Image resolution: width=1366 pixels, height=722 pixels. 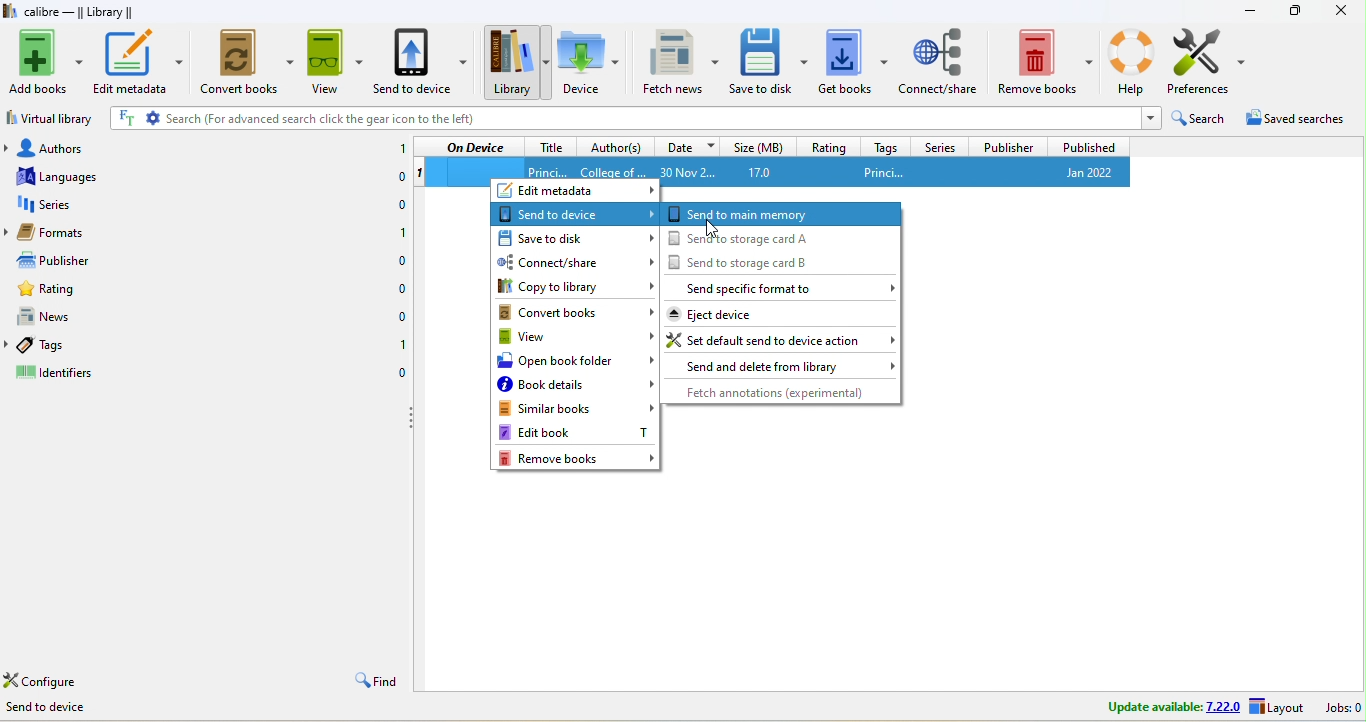 I want to click on add books, so click(x=46, y=62).